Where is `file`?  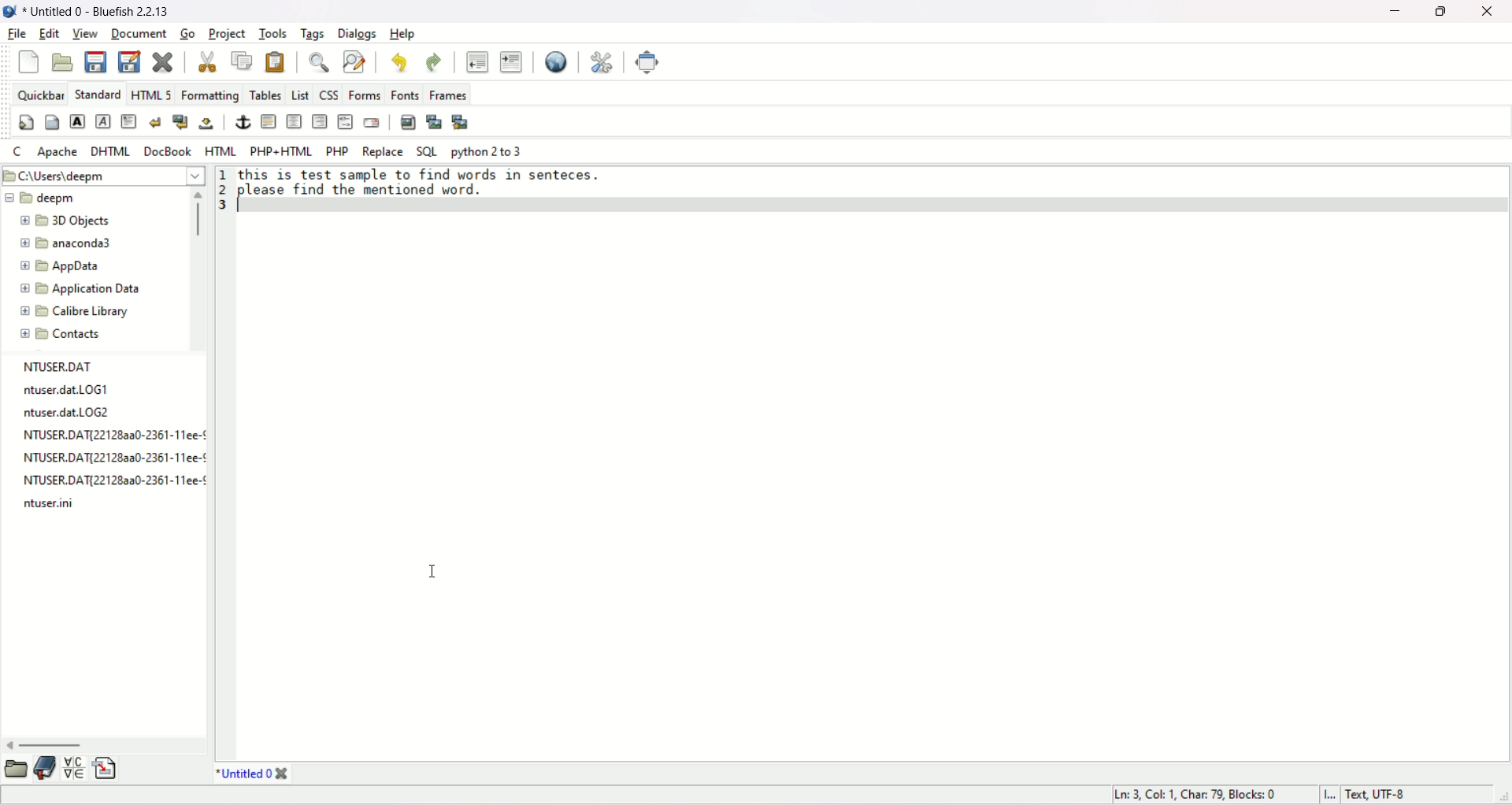
file is located at coordinates (15, 34).